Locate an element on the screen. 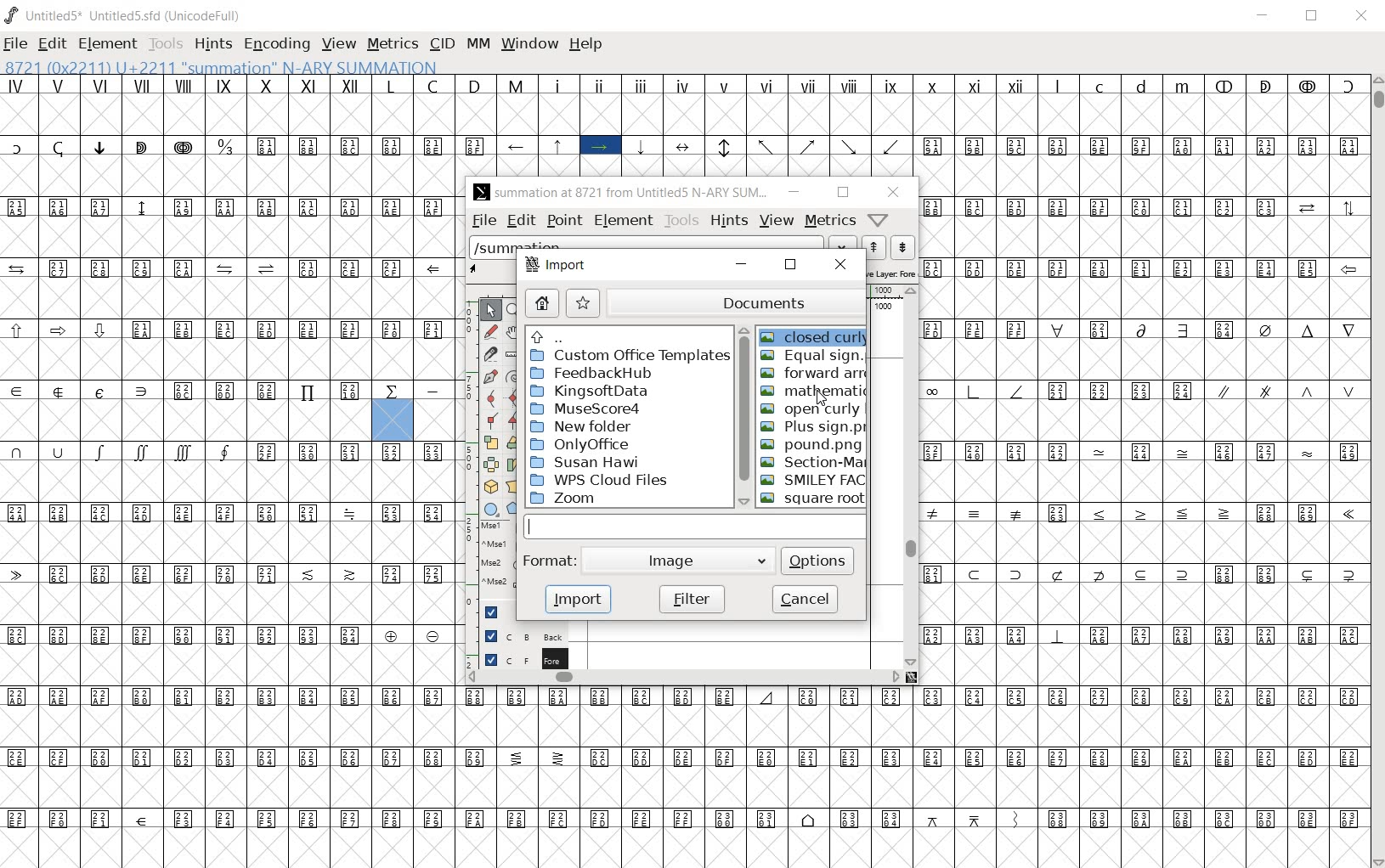  glyph characters is located at coordinates (227, 472).